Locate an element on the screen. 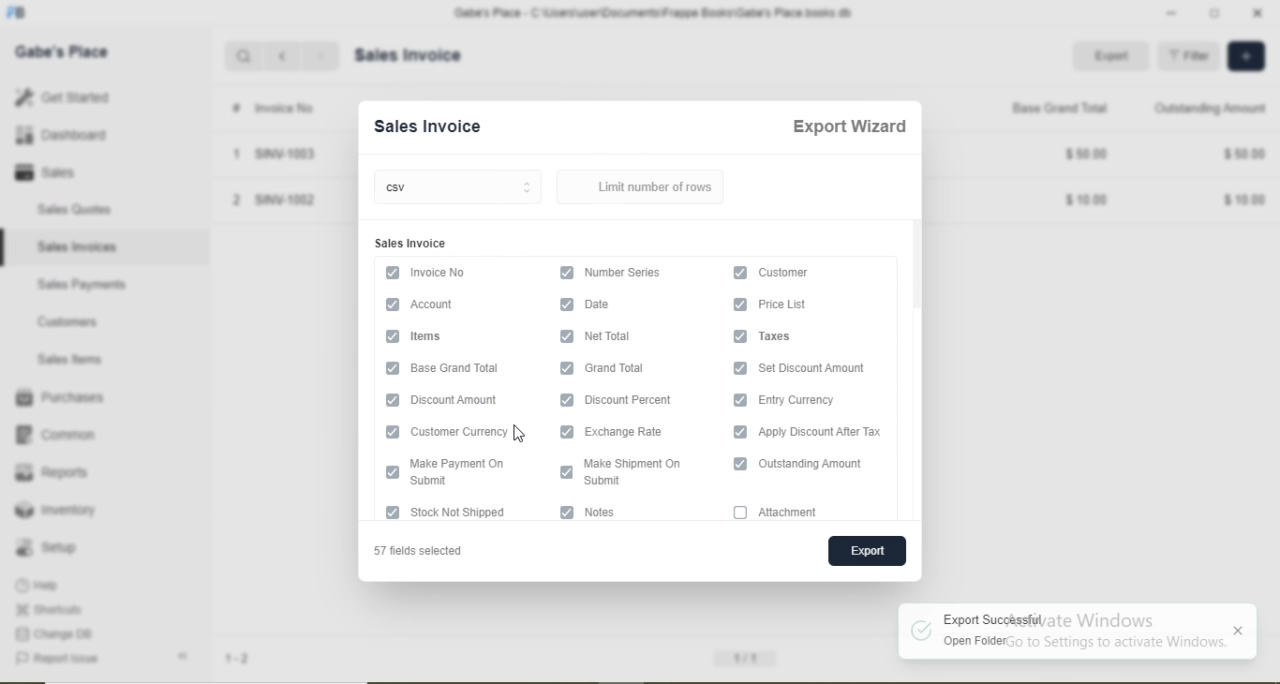 The height and width of the screenshot is (684, 1280). ‘Outstanding Amount is located at coordinates (1212, 107).